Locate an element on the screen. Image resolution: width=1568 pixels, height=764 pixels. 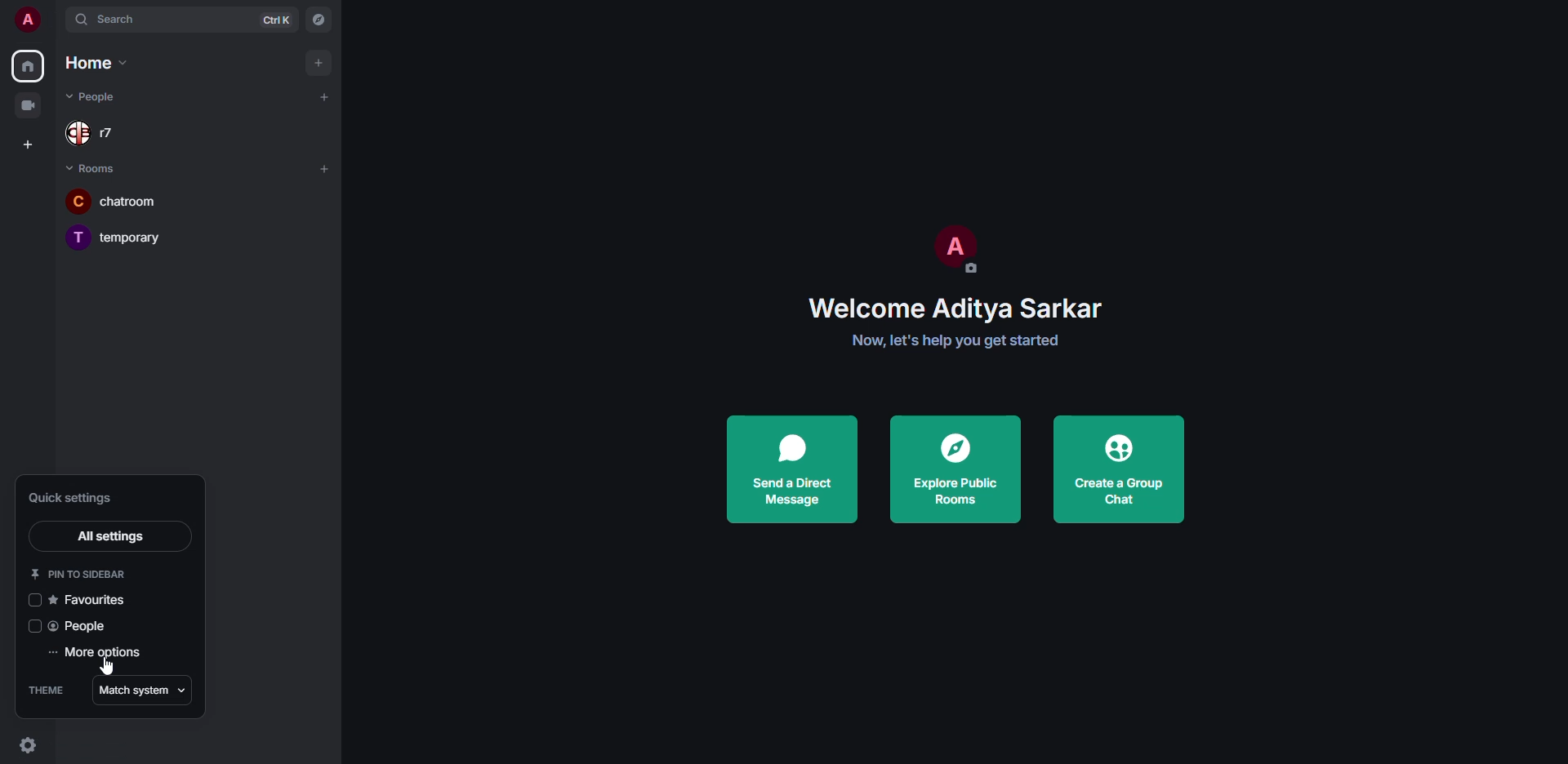
add is located at coordinates (327, 169).